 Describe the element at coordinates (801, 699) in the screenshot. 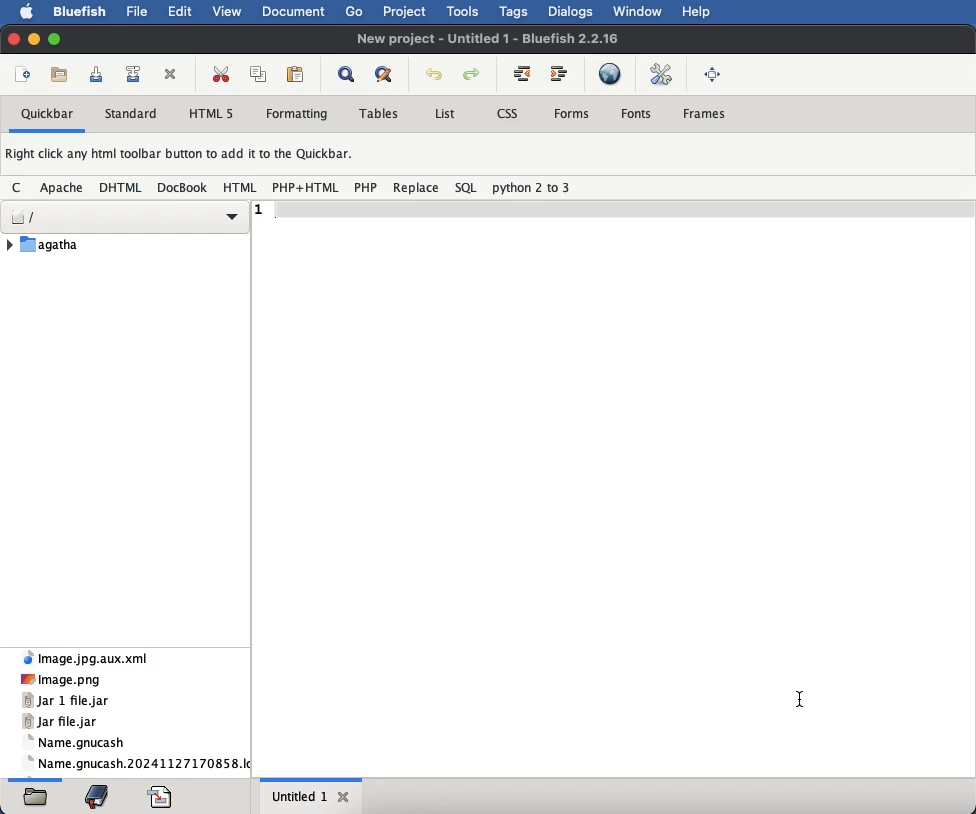

I see `cursor` at that location.